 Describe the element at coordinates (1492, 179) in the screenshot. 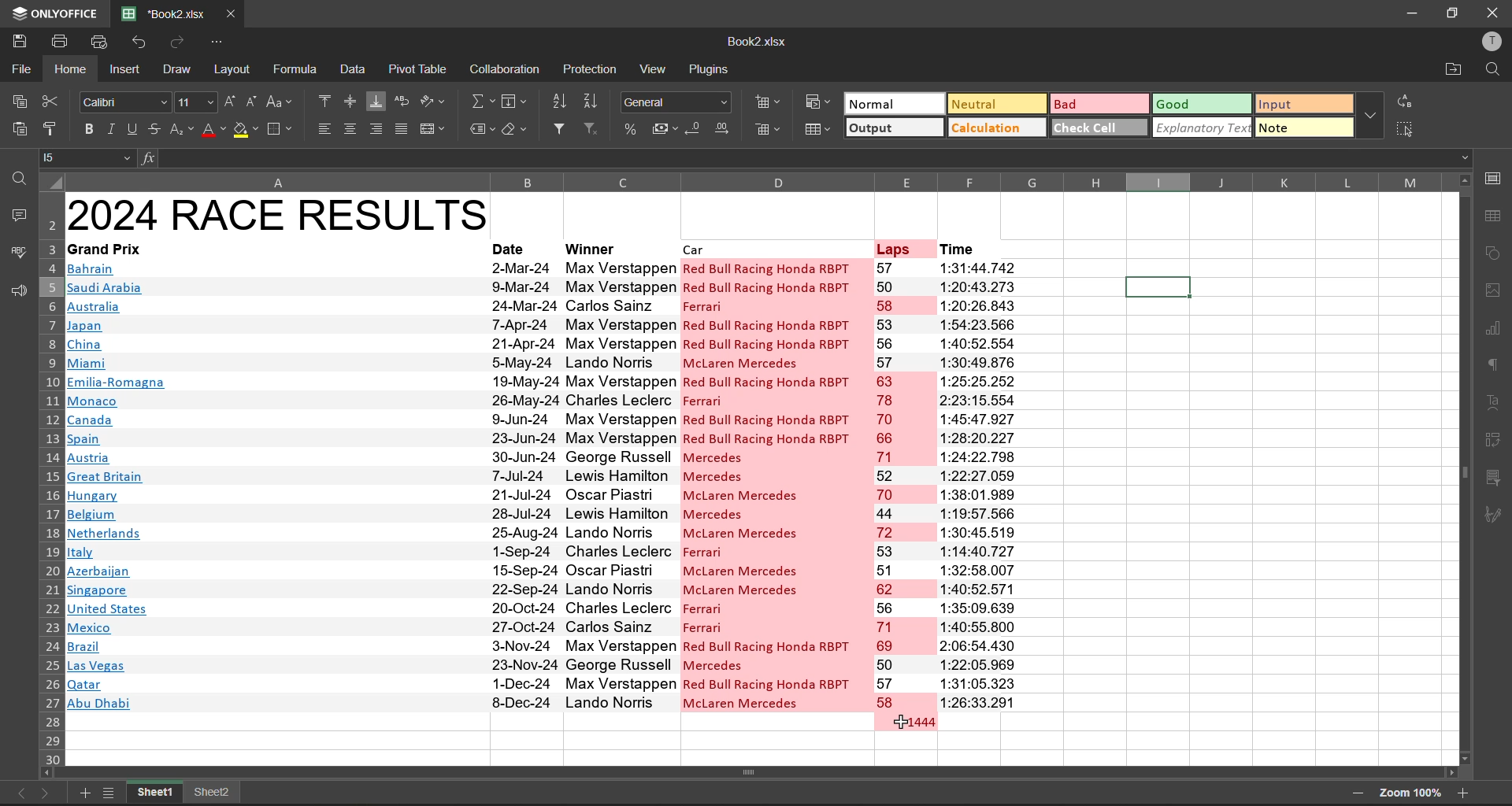

I see `call settings` at that location.